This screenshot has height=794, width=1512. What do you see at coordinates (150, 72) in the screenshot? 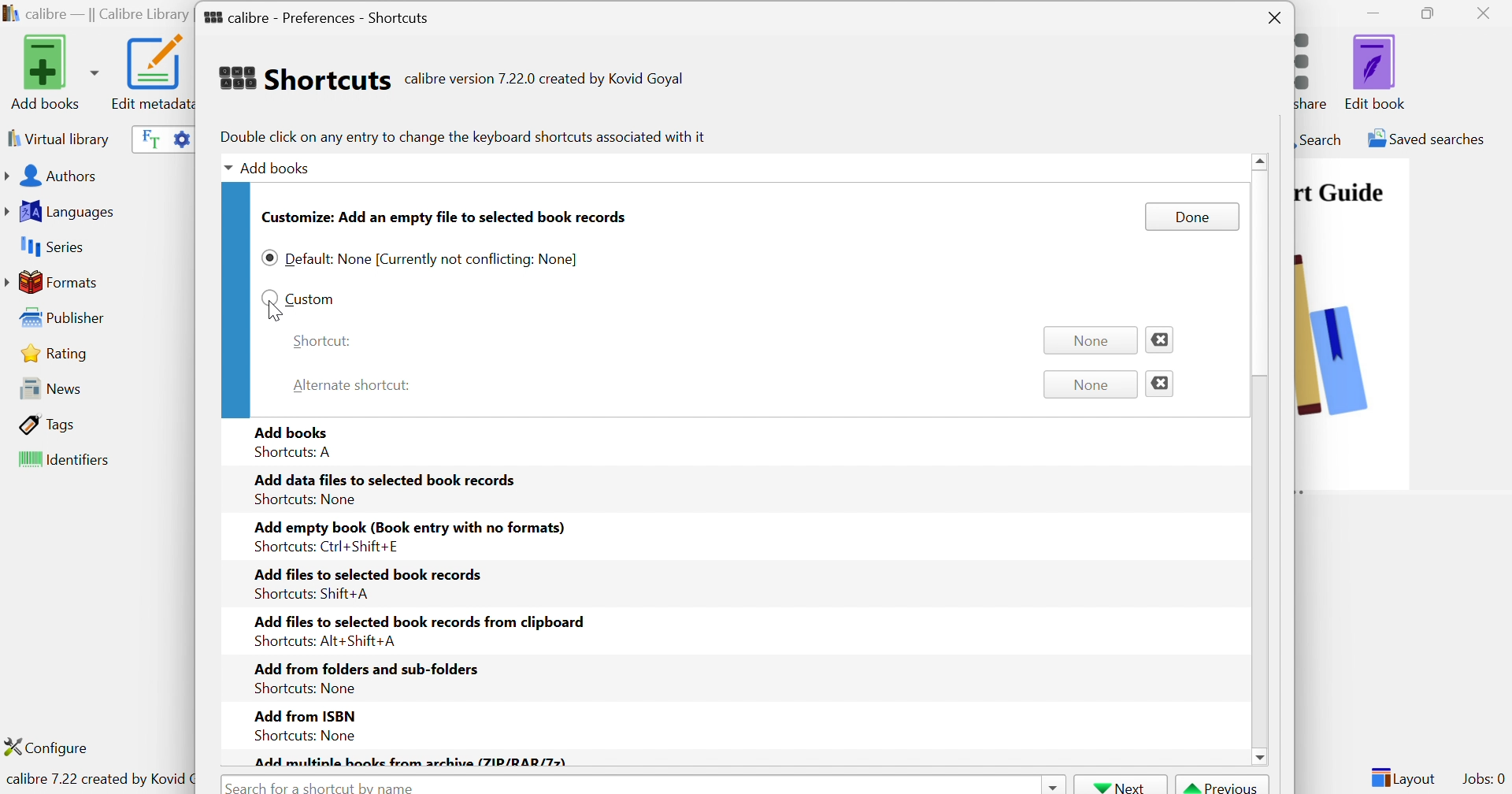
I see `Edit metadata` at bounding box center [150, 72].